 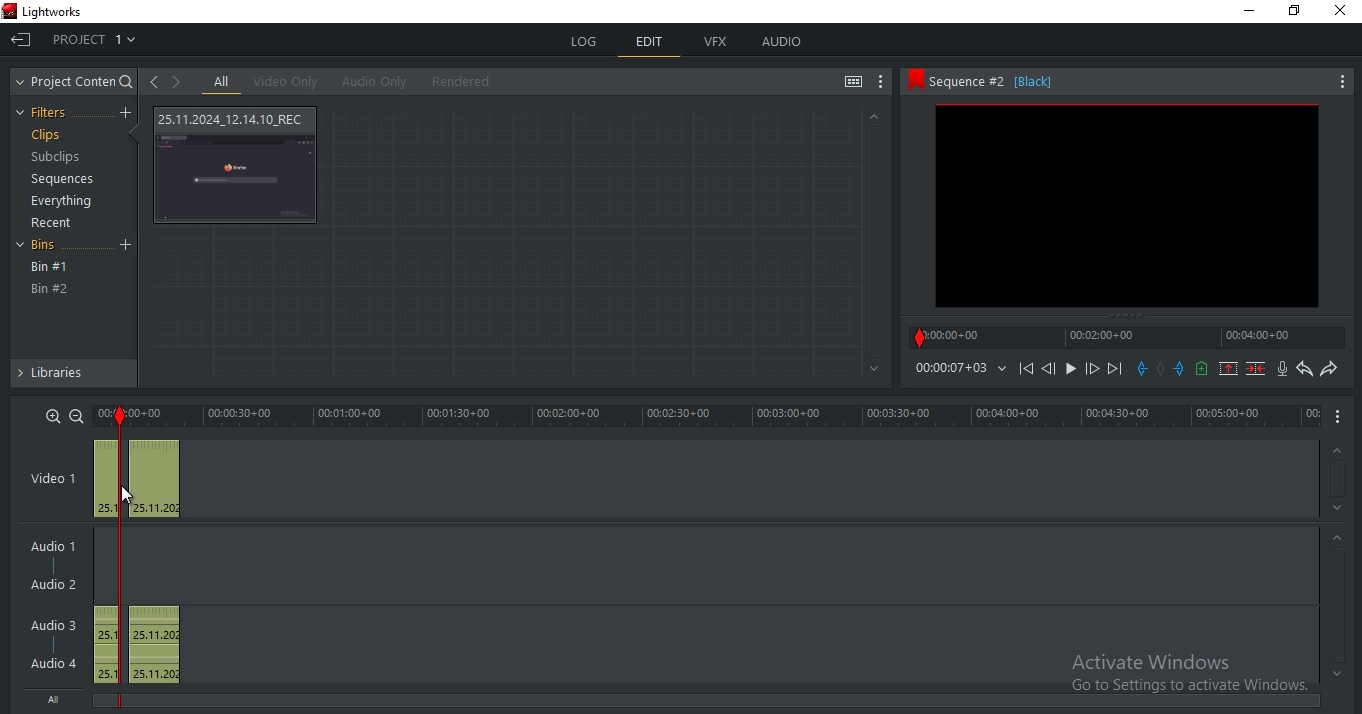 I want to click on create a filter, so click(x=125, y=113).